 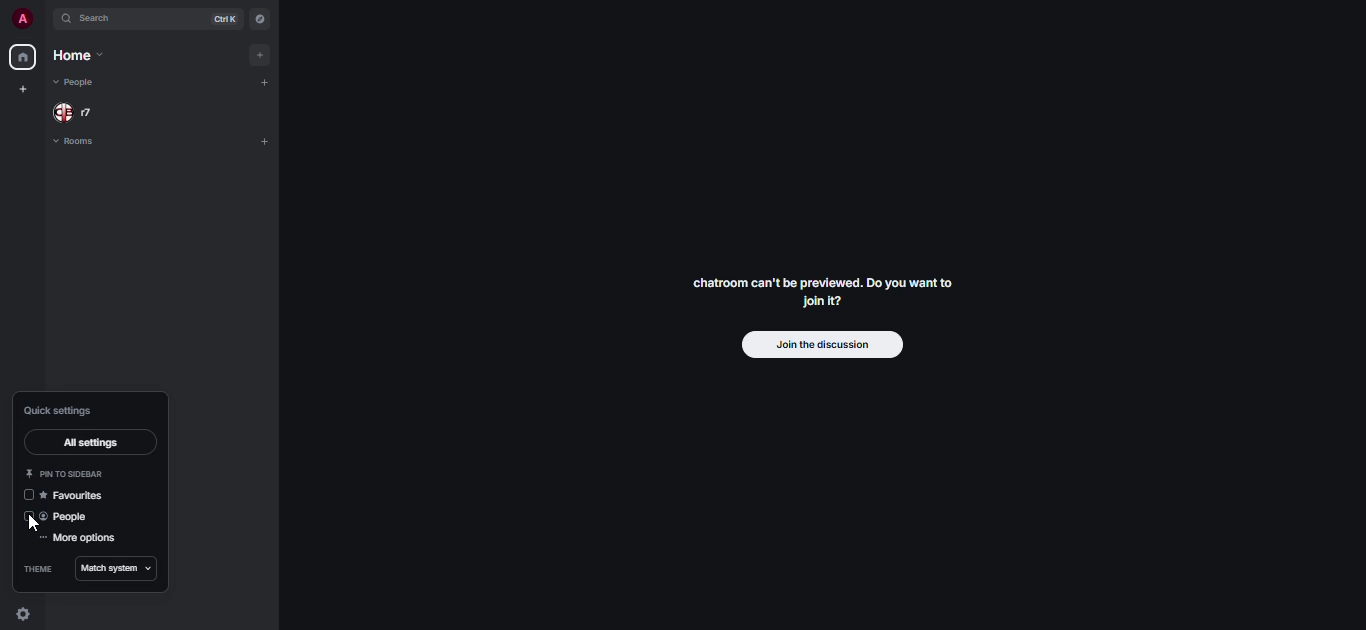 What do you see at coordinates (24, 90) in the screenshot?
I see `create space` at bounding box center [24, 90].